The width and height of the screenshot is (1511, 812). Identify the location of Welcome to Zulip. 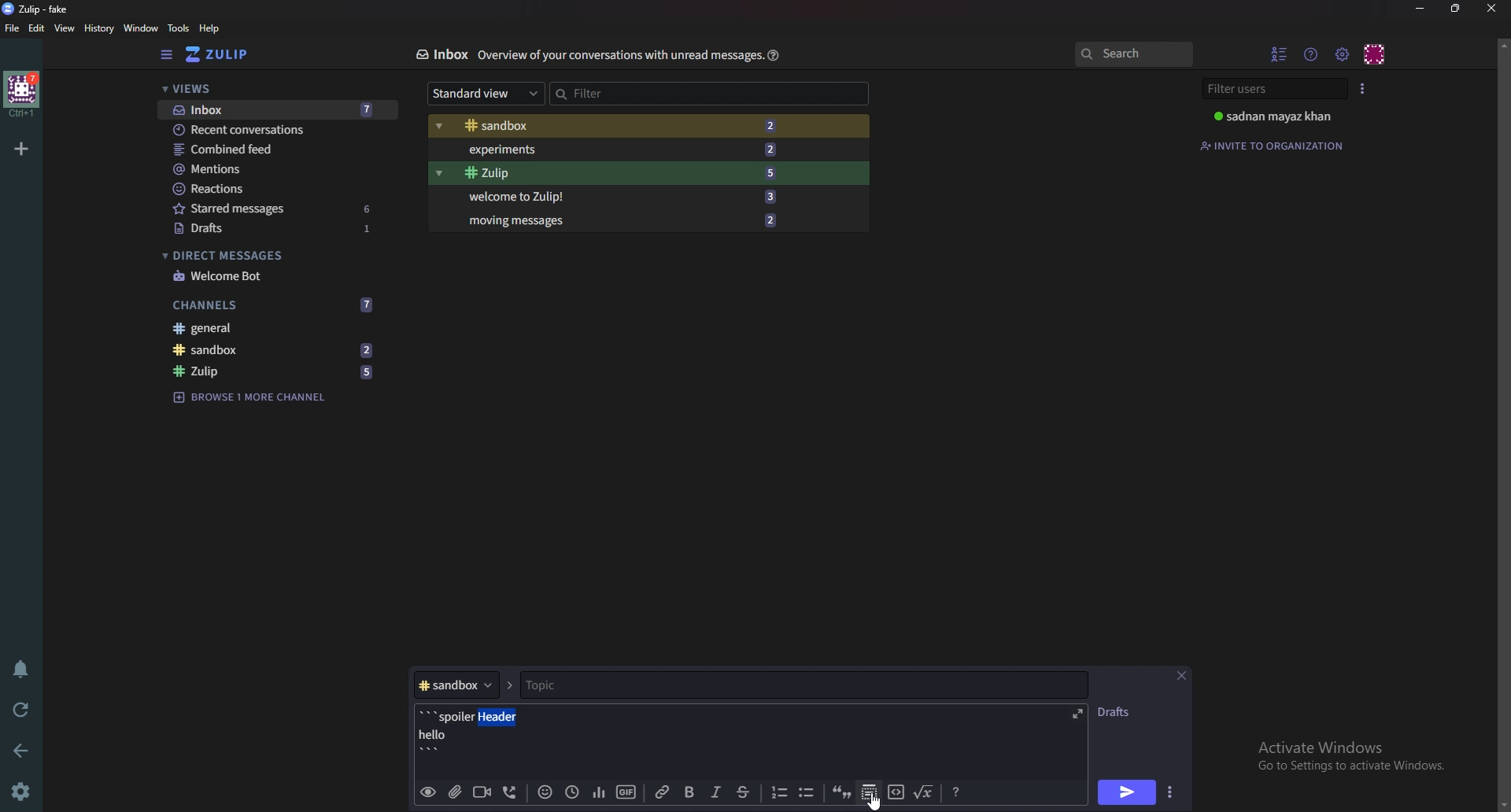
(619, 196).